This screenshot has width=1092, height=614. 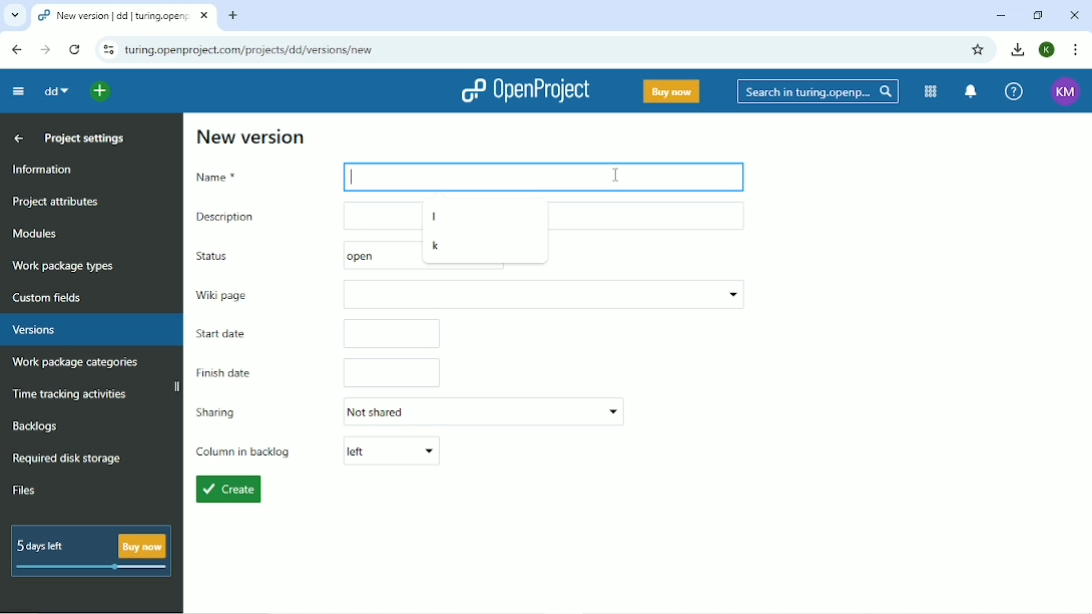 What do you see at coordinates (227, 490) in the screenshot?
I see `Create` at bounding box center [227, 490].